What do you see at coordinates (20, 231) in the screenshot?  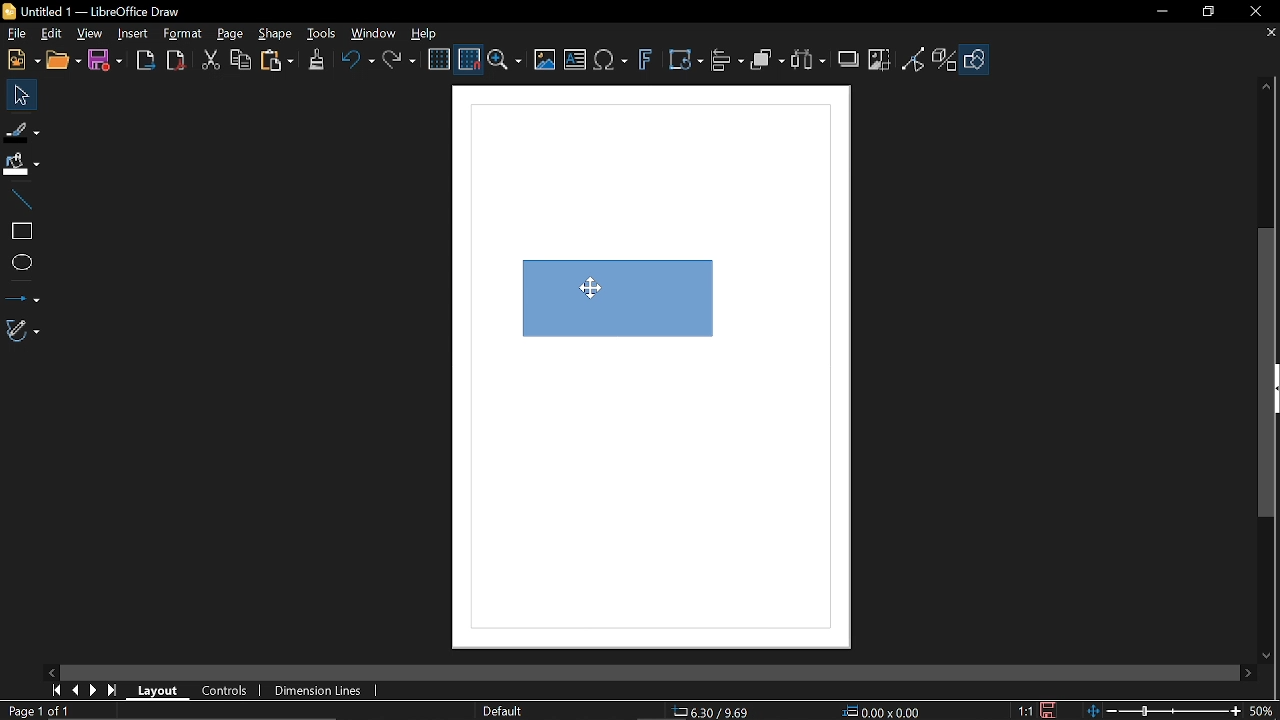 I see `Rectangle` at bounding box center [20, 231].